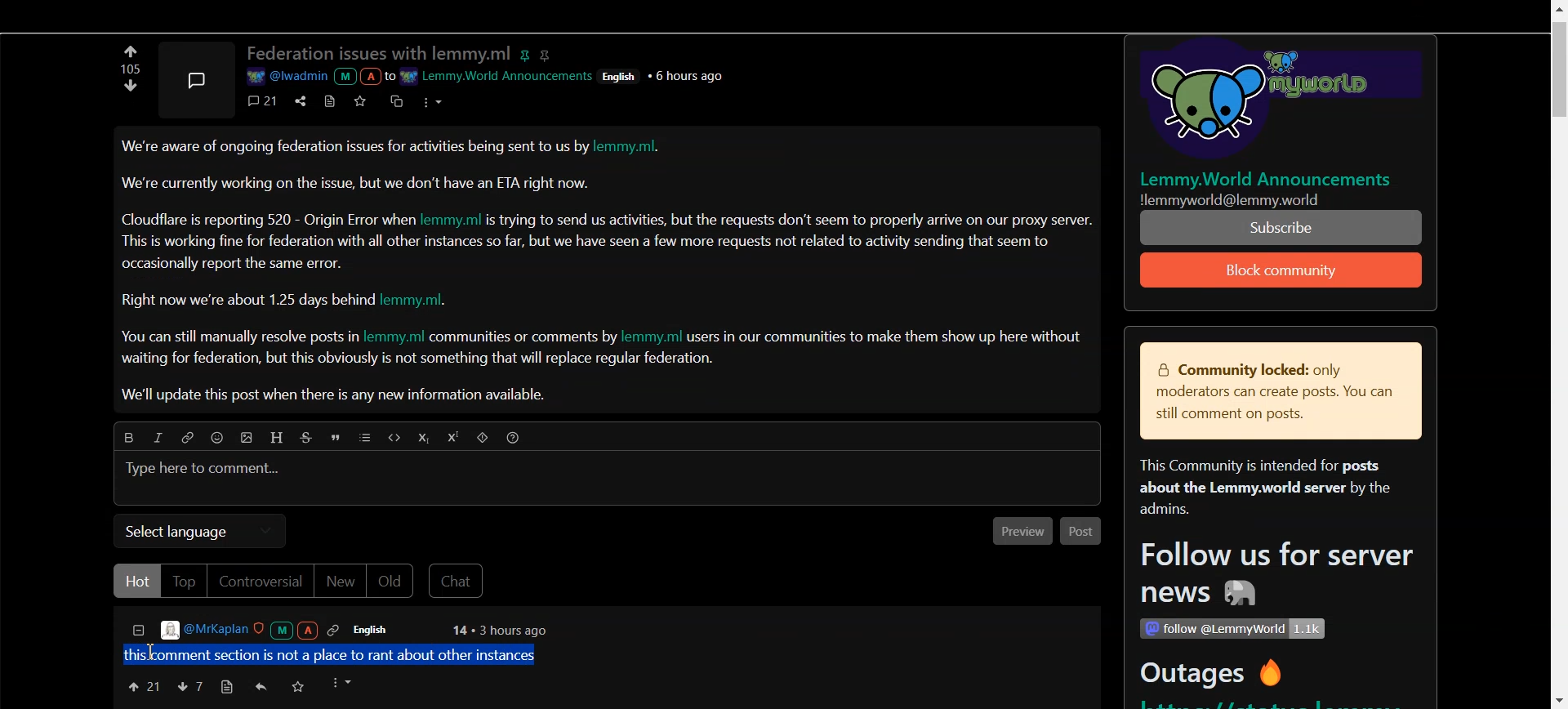  I want to click on English, so click(381, 630).